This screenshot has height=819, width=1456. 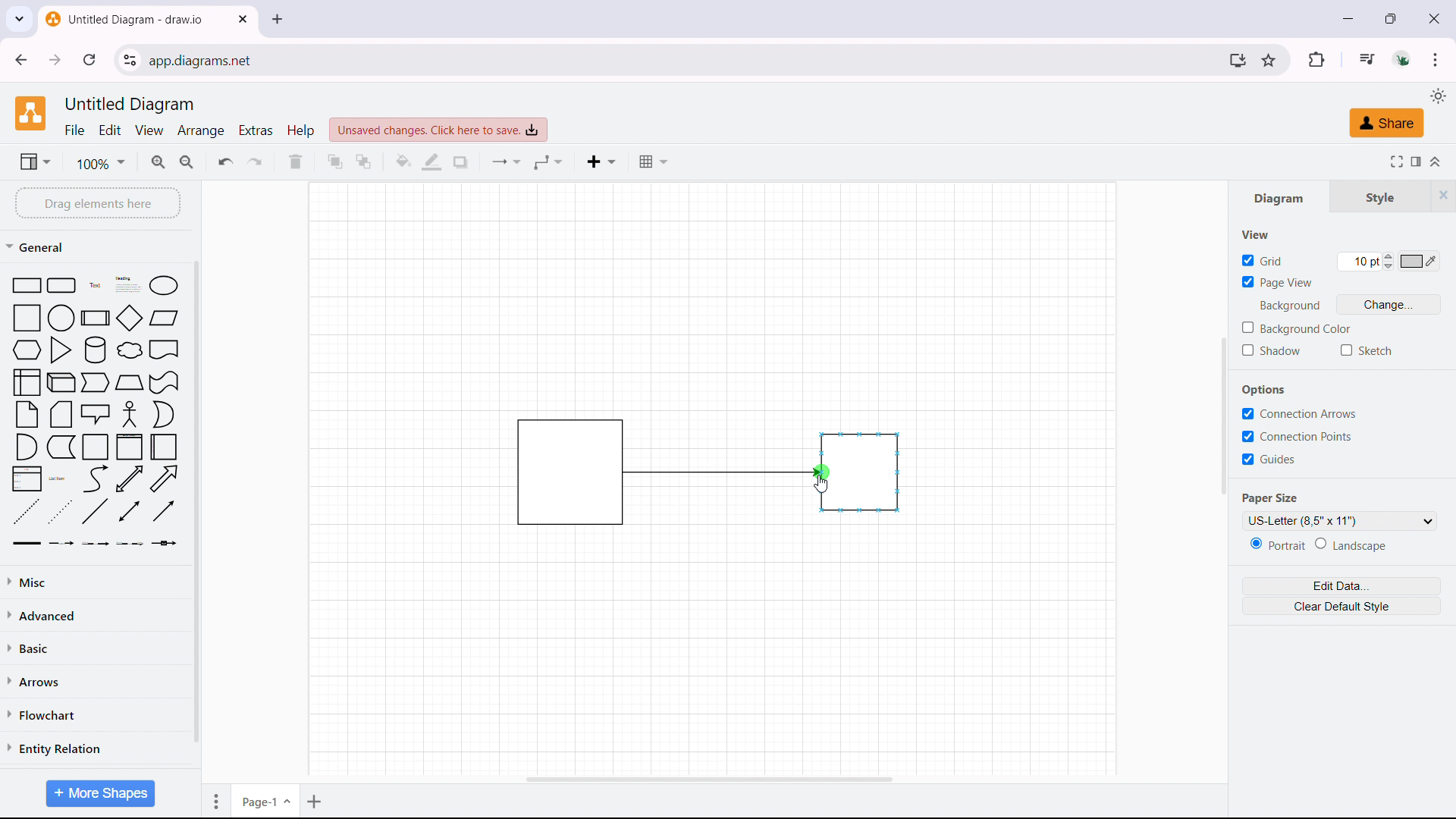 What do you see at coordinates (861, 472) in the screenshot?
I see `object 2 is highlighted` at bounding box center [861, 472].